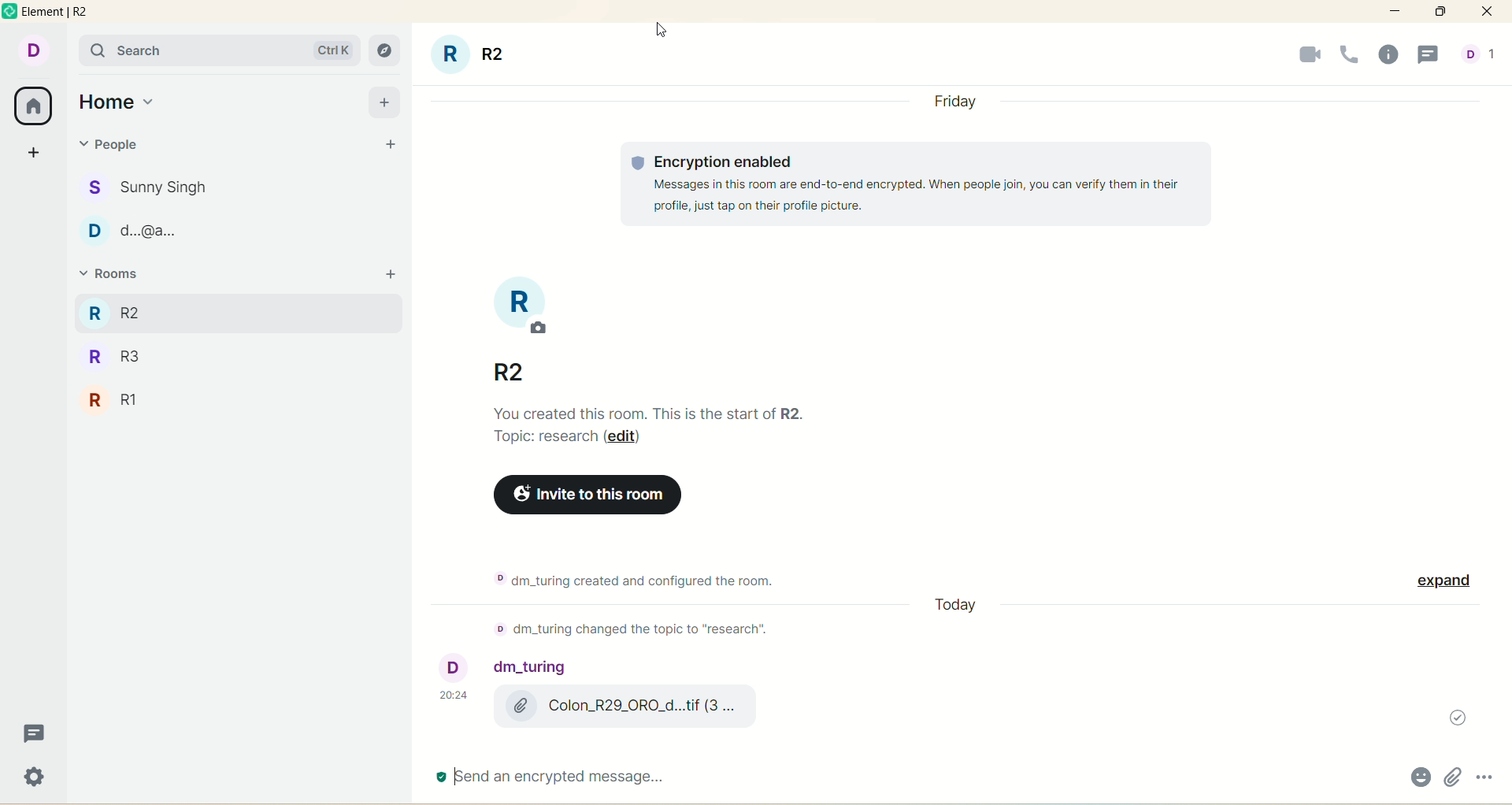 This screenshot has width=1512, height=805. What do you see at coordinates (1418, 779) in the screenshot?
I see `emoji` at bounding box center [1418, 779].